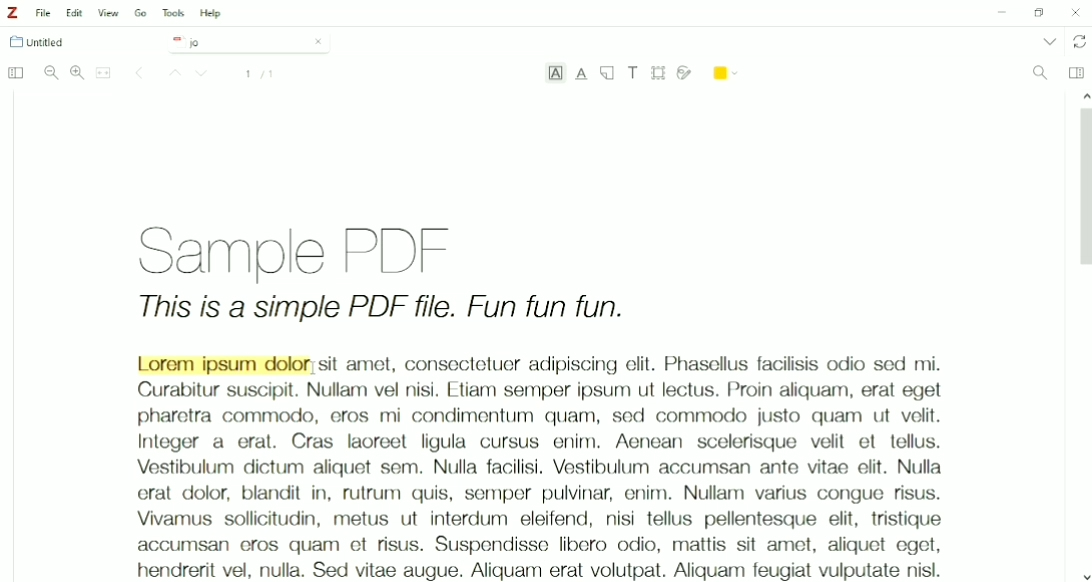 This screenshot has width=1092, height=582. I want to click on Highlight color, so click(727, 71).